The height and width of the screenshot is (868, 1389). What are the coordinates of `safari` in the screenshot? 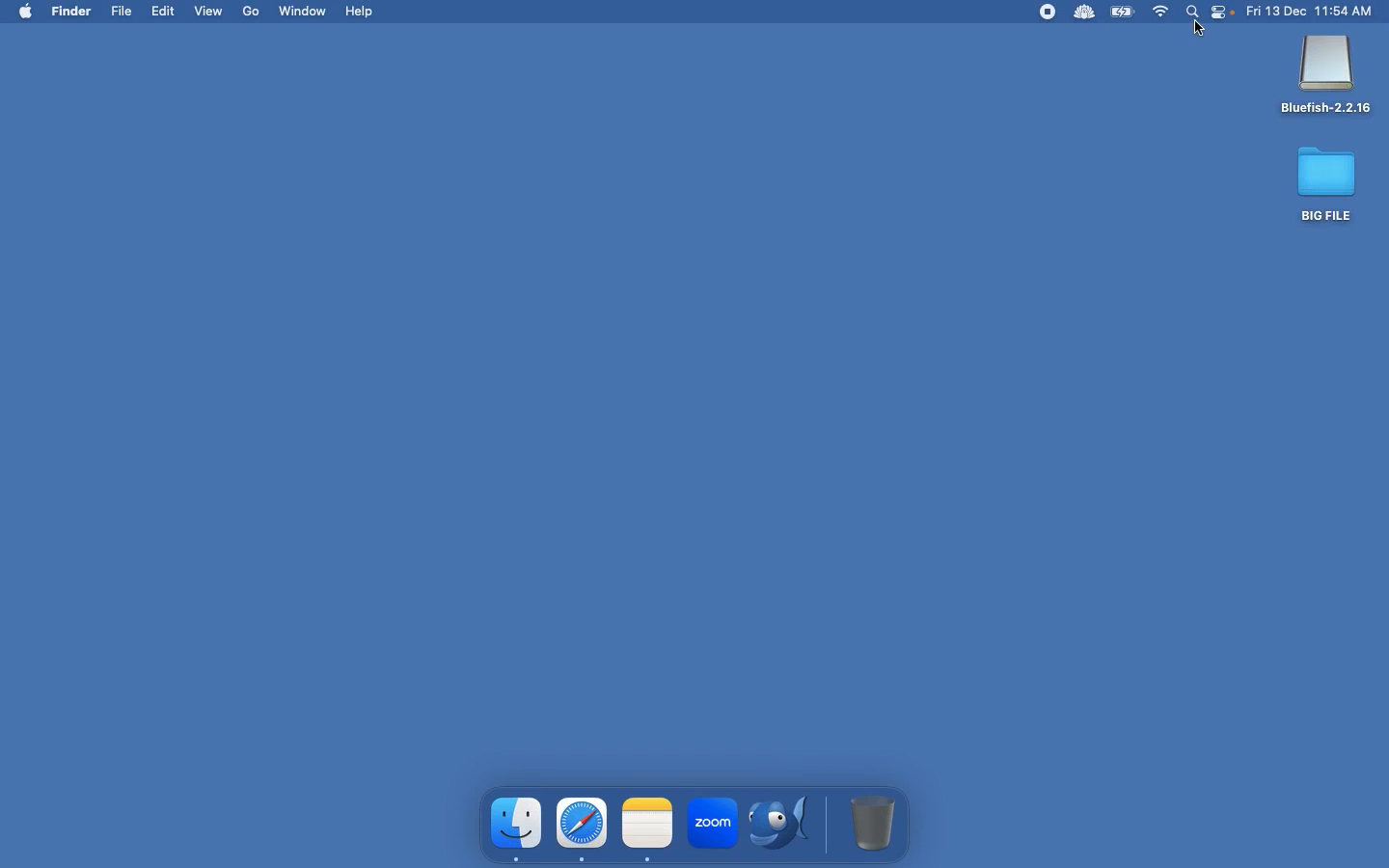 It's located at (583, 823).